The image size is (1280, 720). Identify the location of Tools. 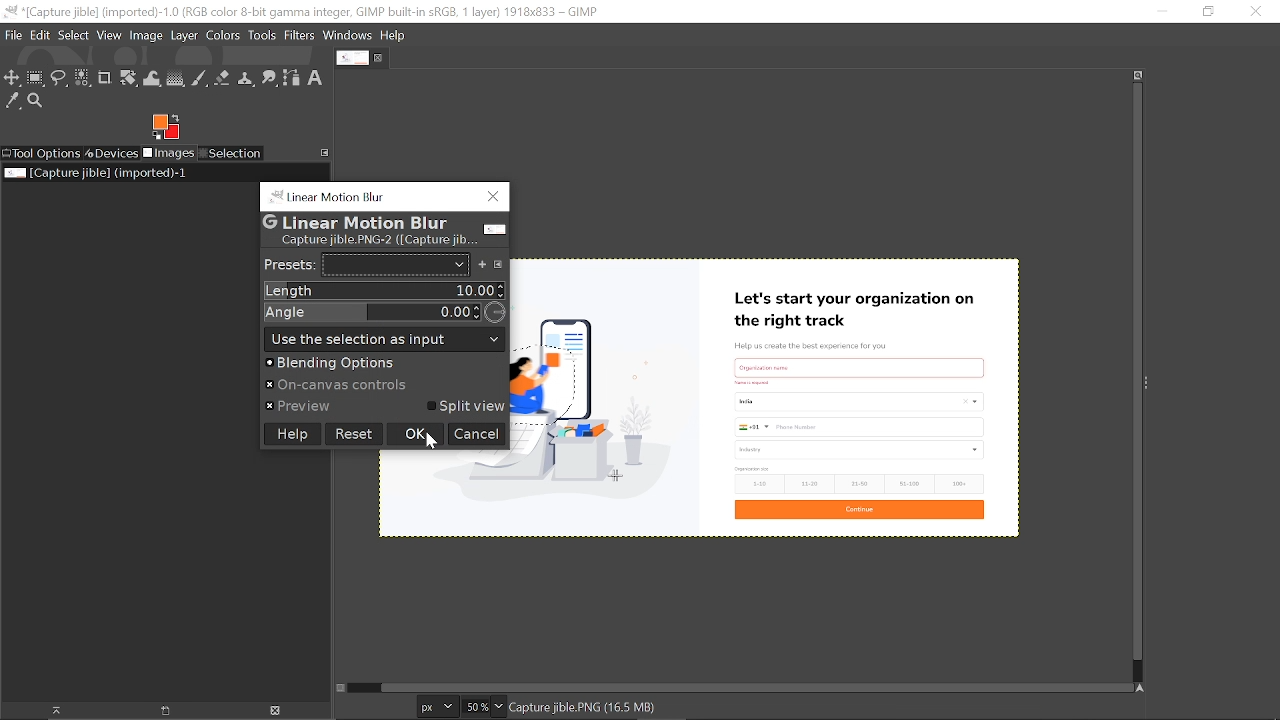
(262, 36).